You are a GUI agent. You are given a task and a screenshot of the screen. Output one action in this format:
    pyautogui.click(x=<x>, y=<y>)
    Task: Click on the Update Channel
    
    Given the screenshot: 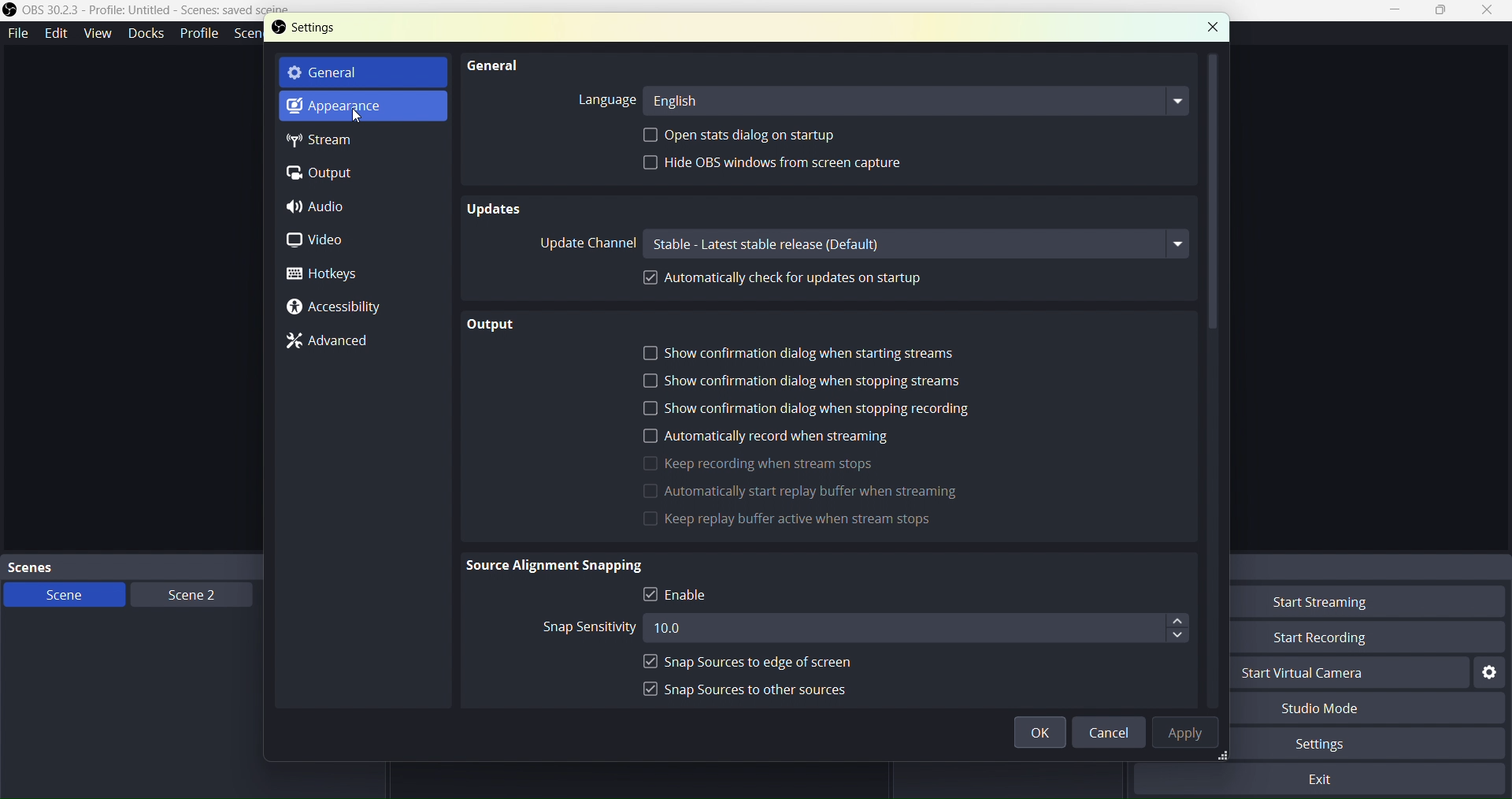 What is the action you would take?
    pyautogui.click(x=862, y=244)
    